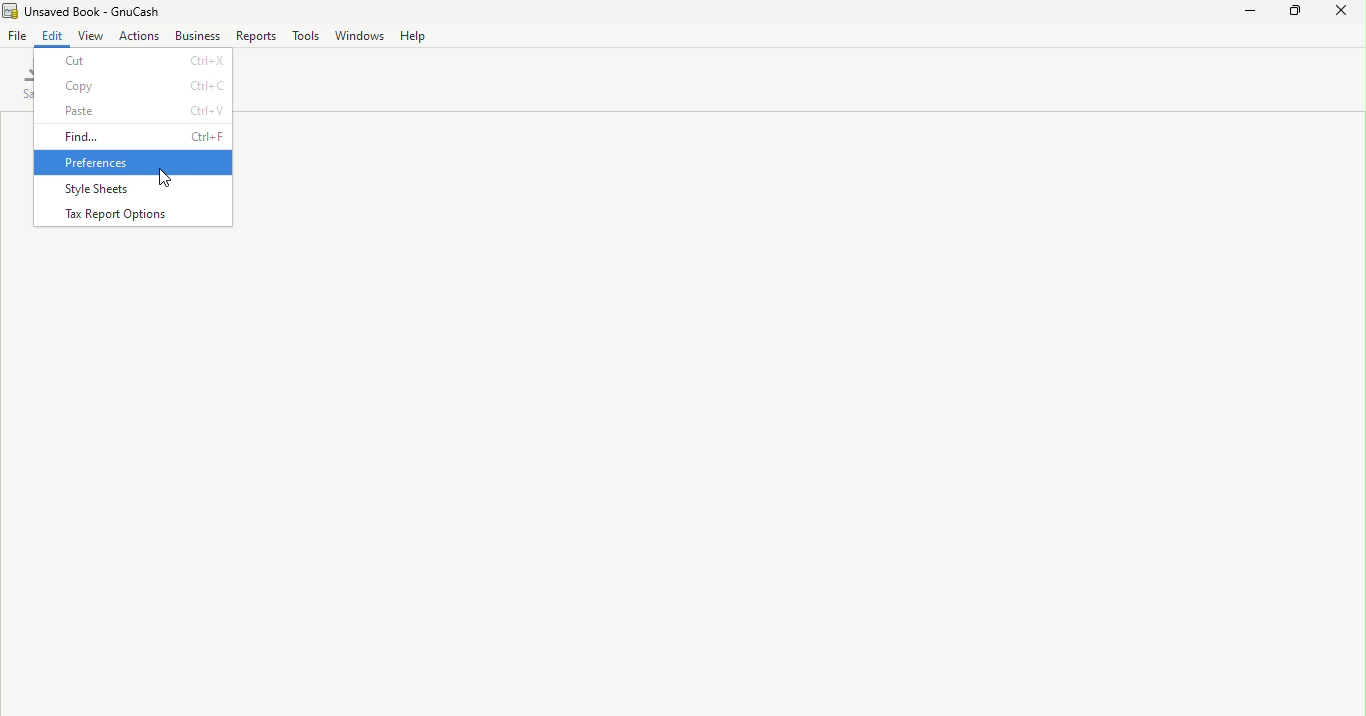 The image size is (1366, 716). I want to click on Business, so click(197, 36).